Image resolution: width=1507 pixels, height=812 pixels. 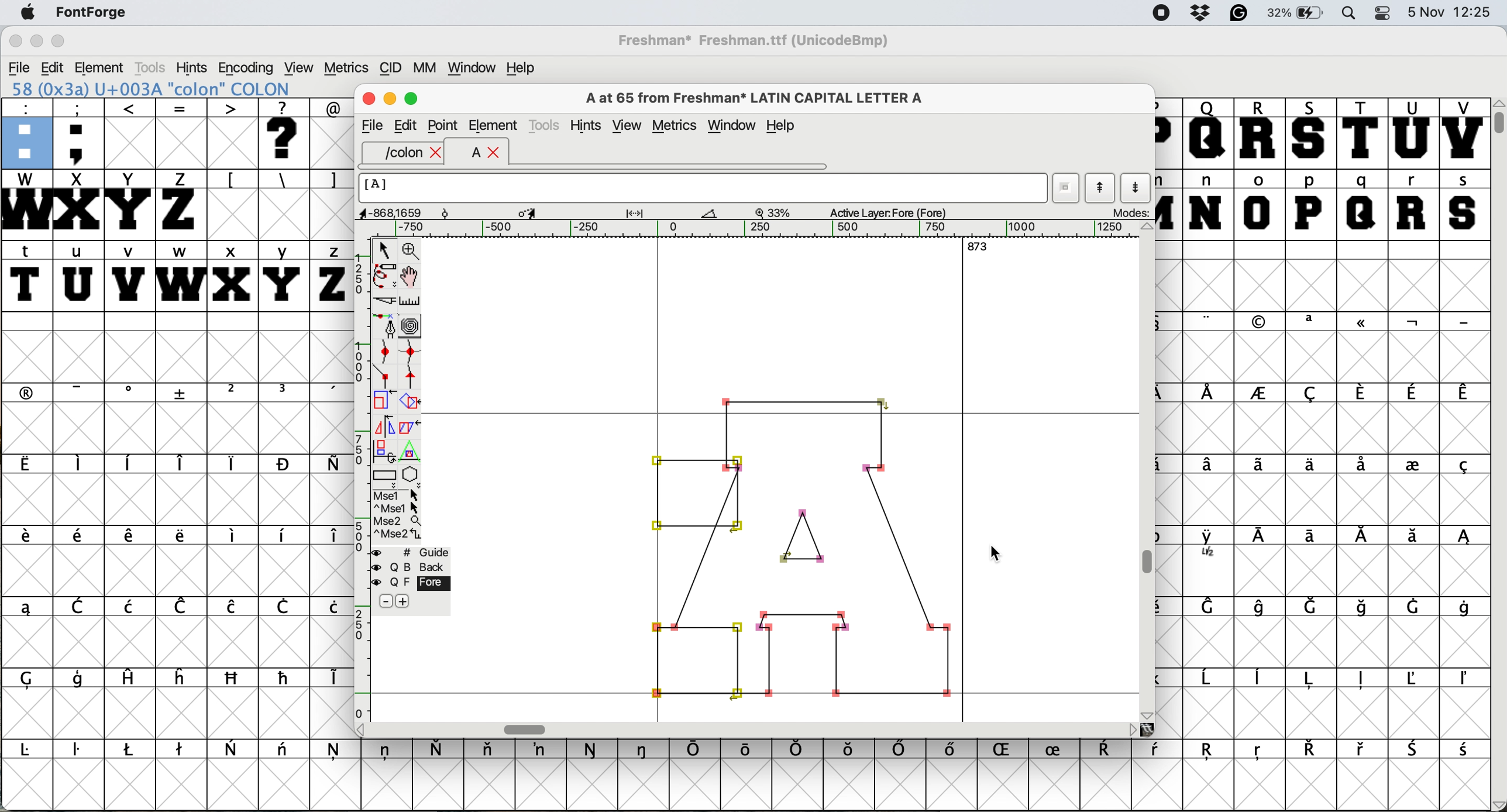 What do you see at coordinates (798, 749) in the screenshot?
I see `symbol` at bounding box center [798, 749].